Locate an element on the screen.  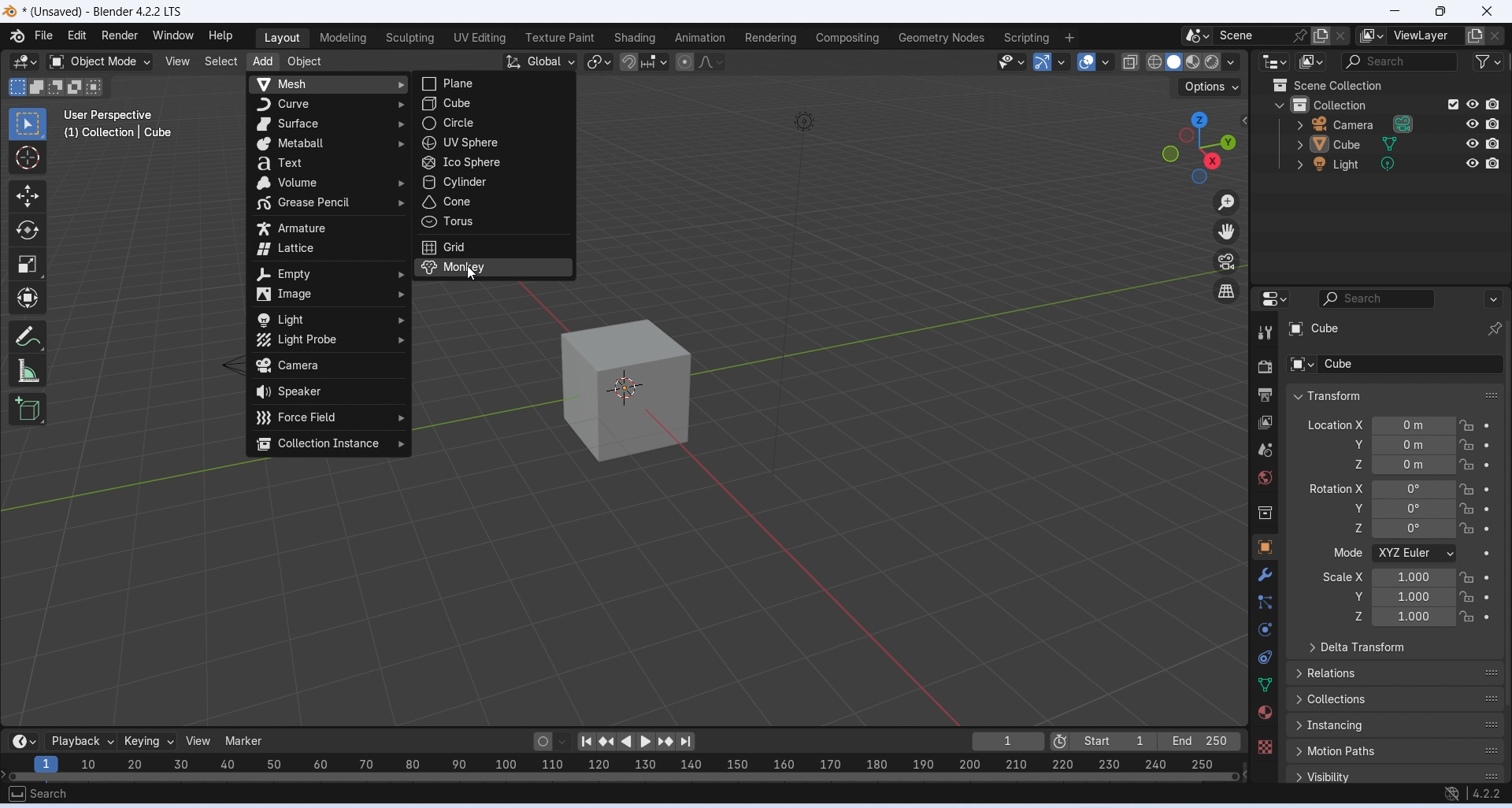
visibility is located at coordinates (1398, 775).